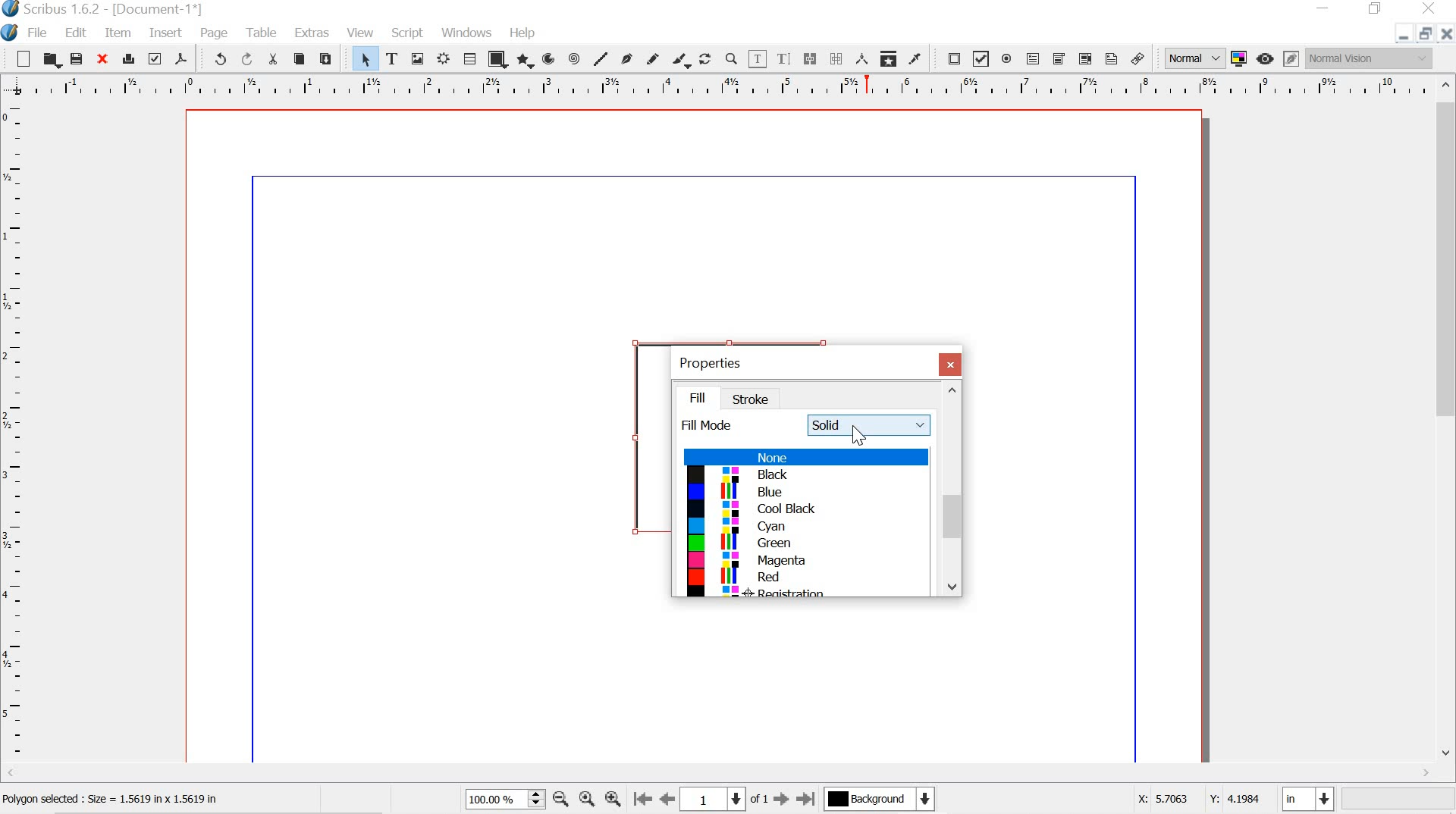 The width and height of the screenshot is (1456, 814). I want to click on minimize, so click(1325, 9).